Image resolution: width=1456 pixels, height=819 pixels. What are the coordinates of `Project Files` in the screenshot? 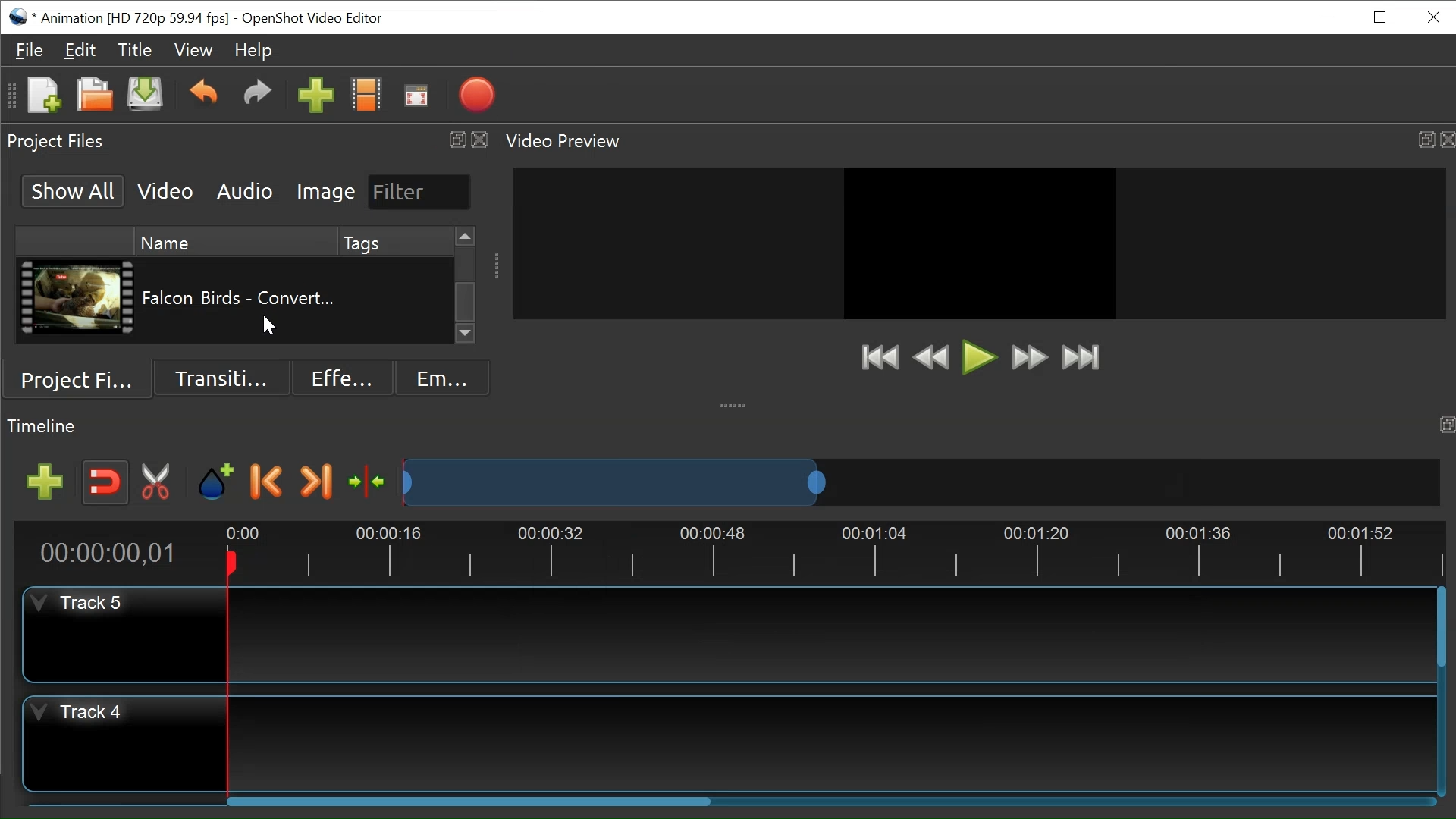 It's located at (79, 379).